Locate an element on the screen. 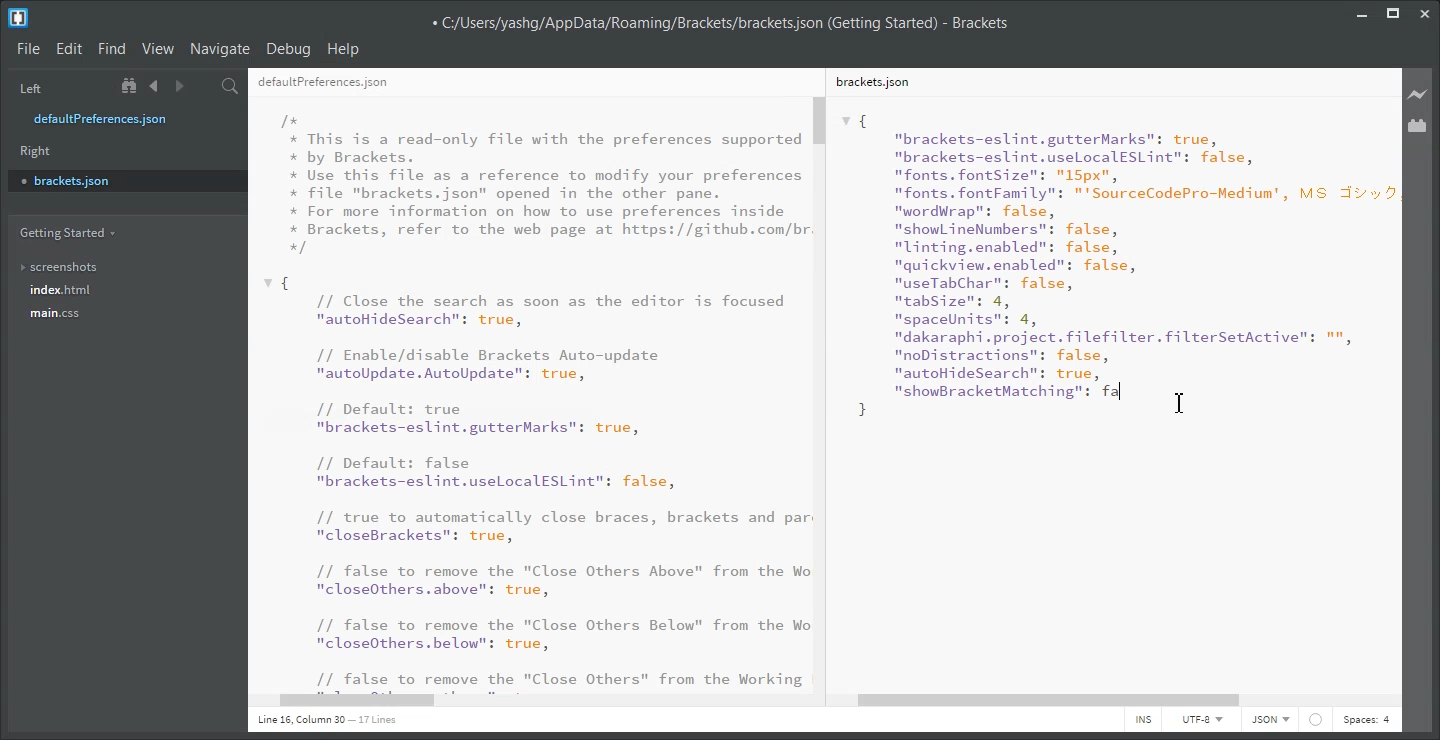 This screenshot has width=1440, height=740. Split the editor vertically or Horizontally is located at coordinates (204, 86).